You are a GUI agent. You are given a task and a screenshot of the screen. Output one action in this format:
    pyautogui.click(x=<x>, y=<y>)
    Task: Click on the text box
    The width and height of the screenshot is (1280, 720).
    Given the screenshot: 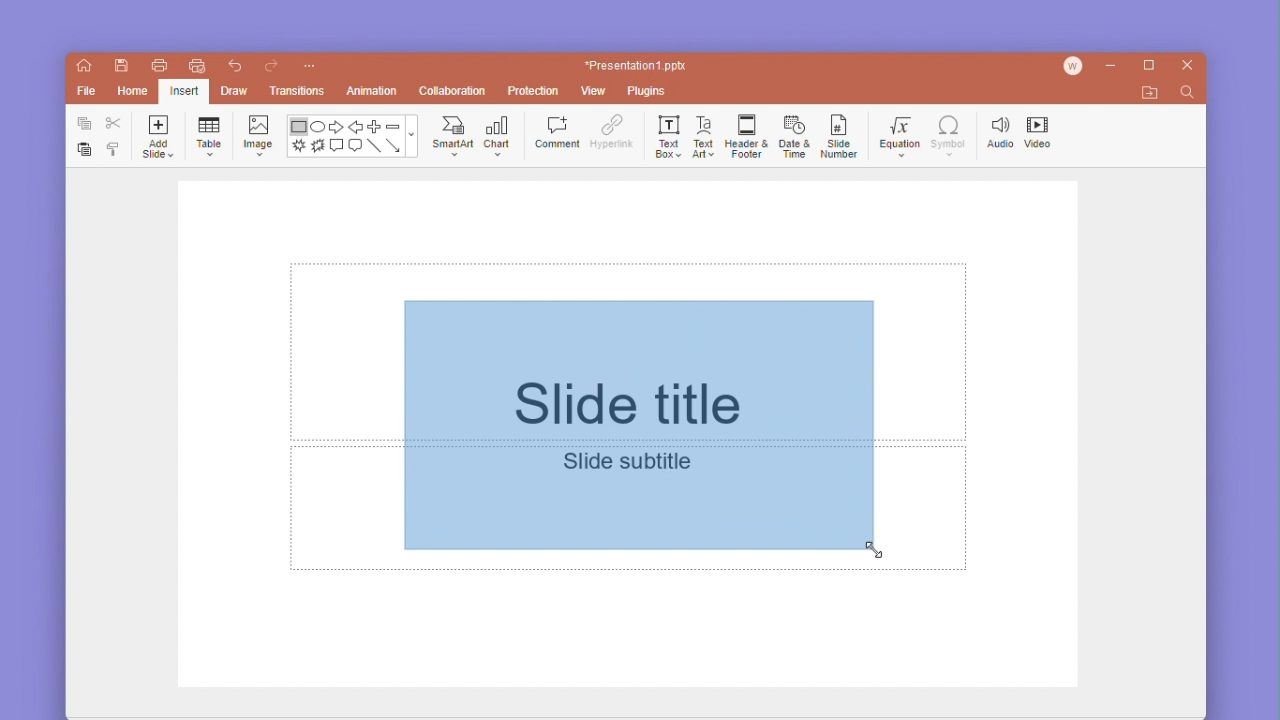 What is the action you would take?
    pyautogui.click(x=665, y=135)
    